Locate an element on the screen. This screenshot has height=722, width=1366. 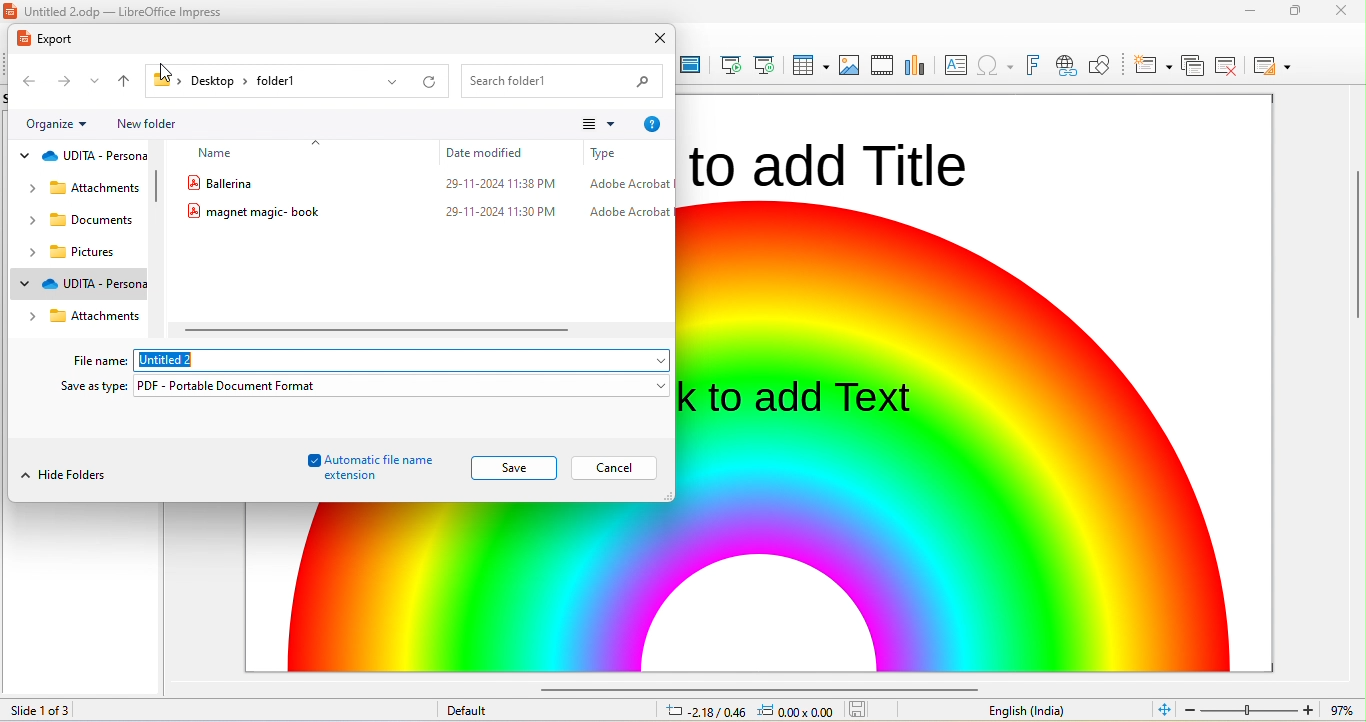
back to previous folder is located at coordinates (31, 84).